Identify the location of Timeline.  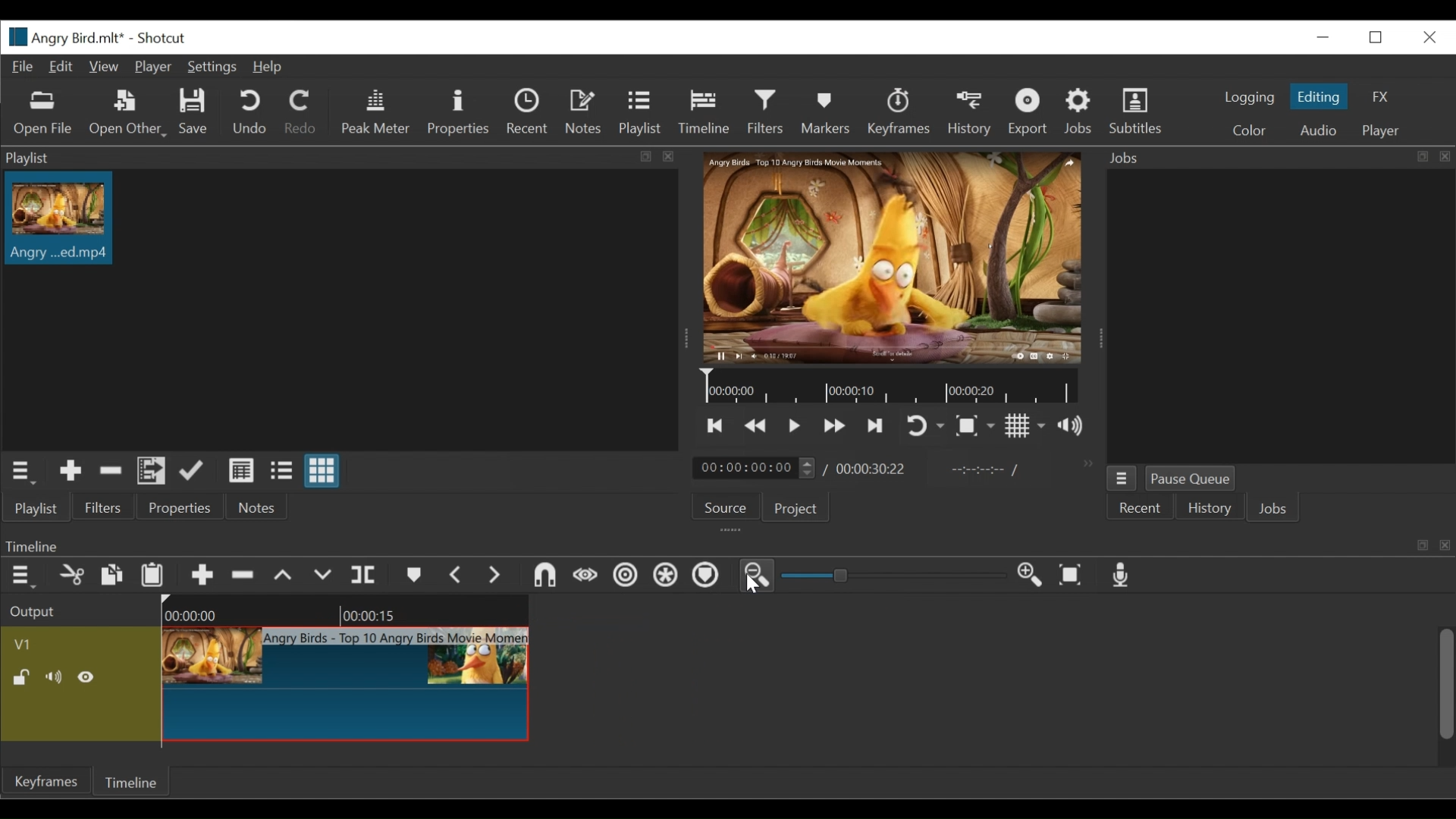
(704, 111).